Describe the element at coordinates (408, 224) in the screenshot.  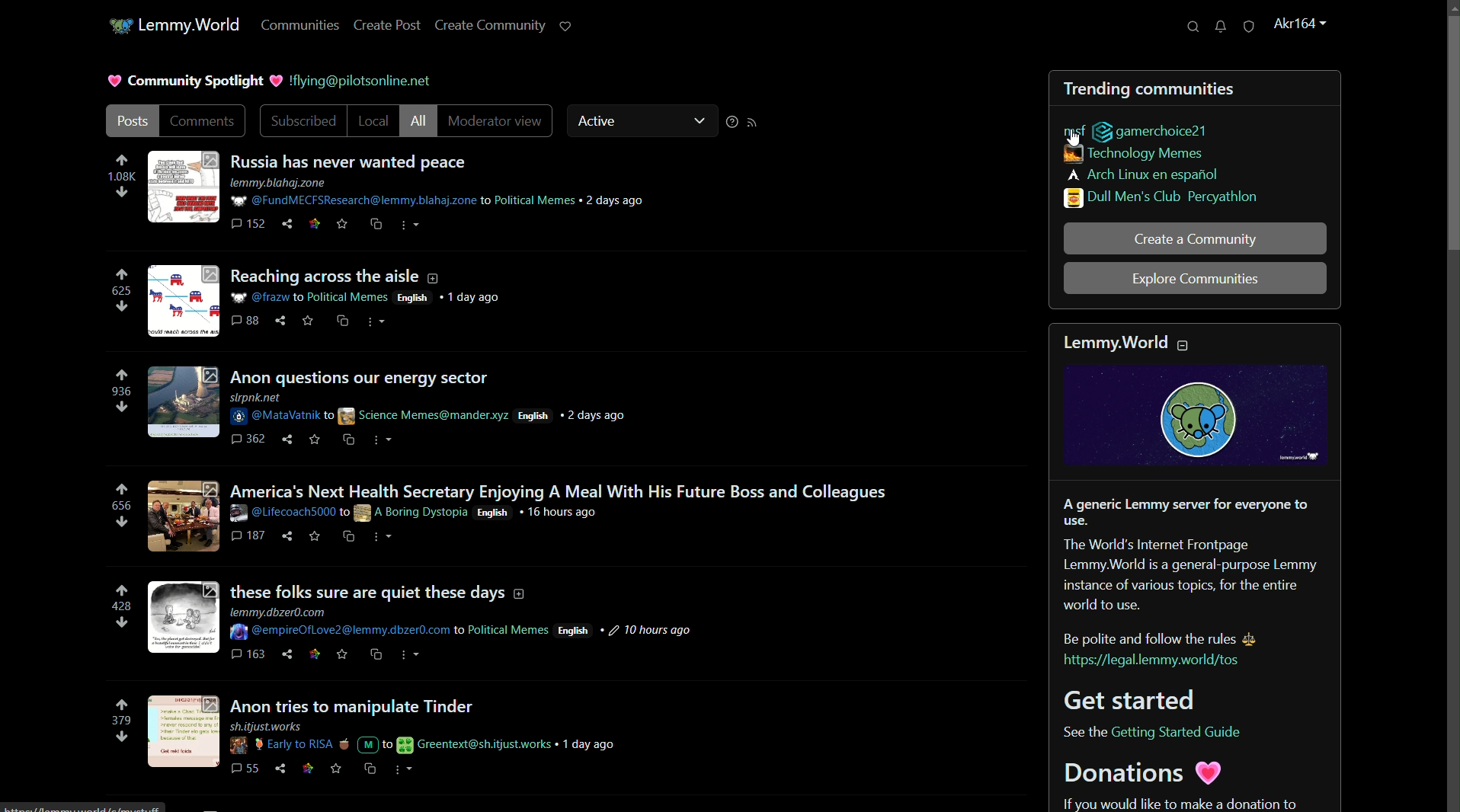
I see `more` at that location.